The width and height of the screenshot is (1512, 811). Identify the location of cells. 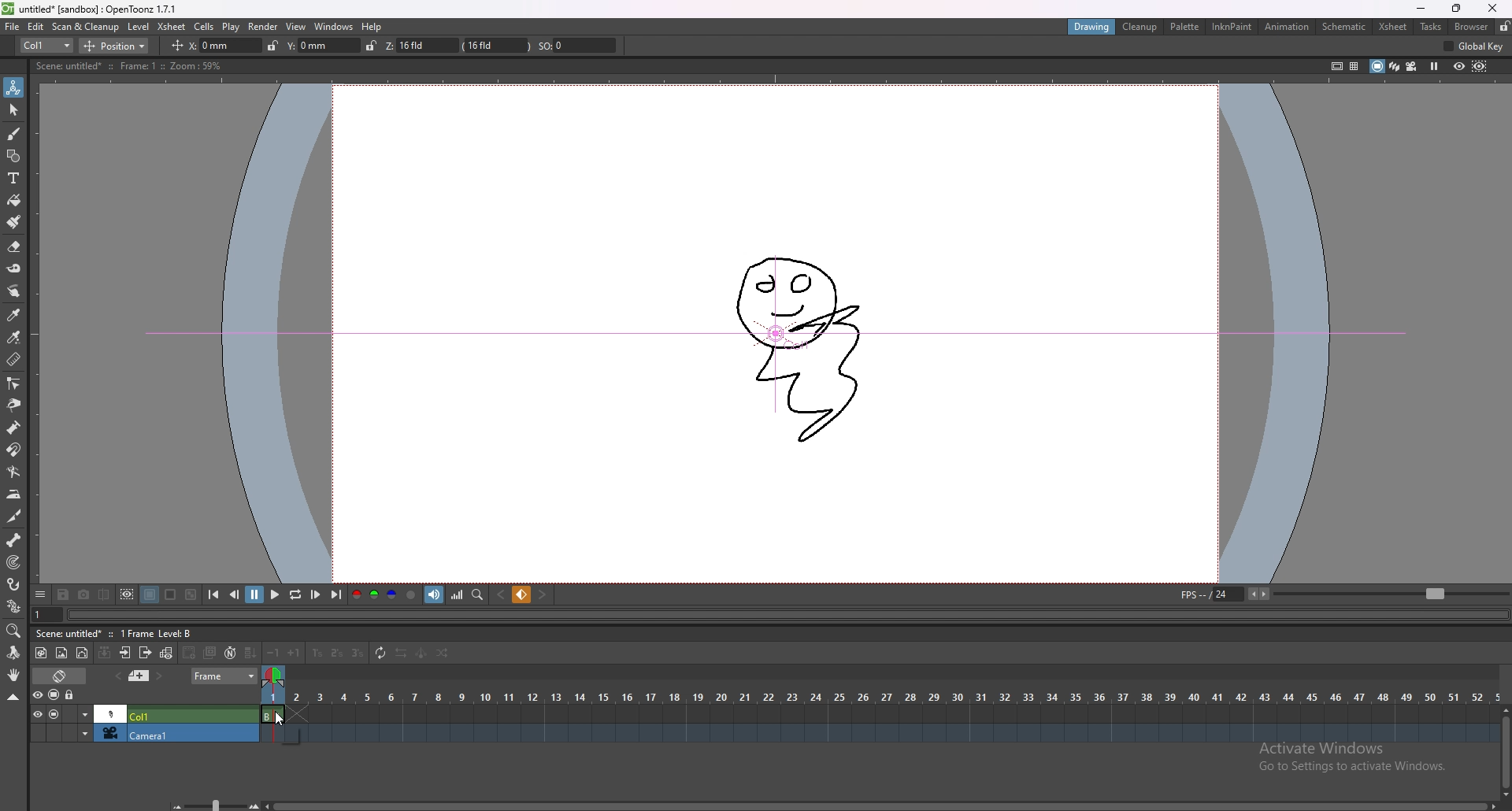
(204, 26).